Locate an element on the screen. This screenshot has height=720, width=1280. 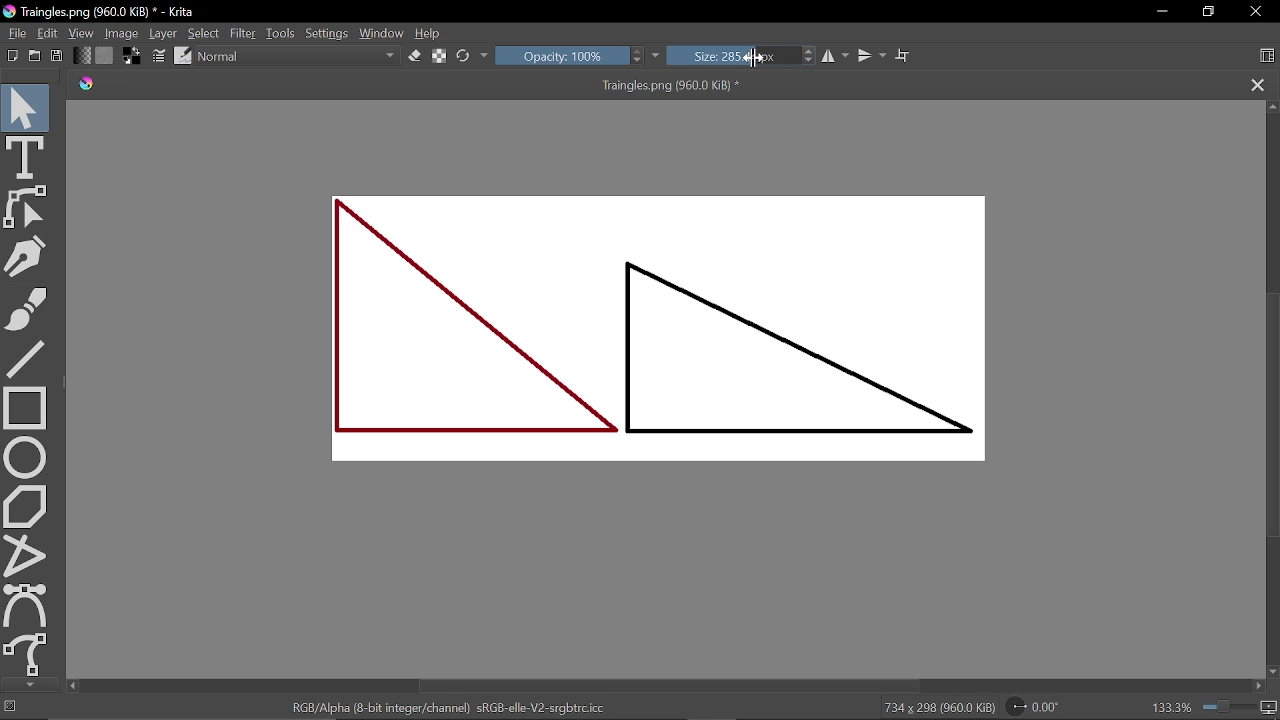
Fill pattern is located at coordinates (104, 56).